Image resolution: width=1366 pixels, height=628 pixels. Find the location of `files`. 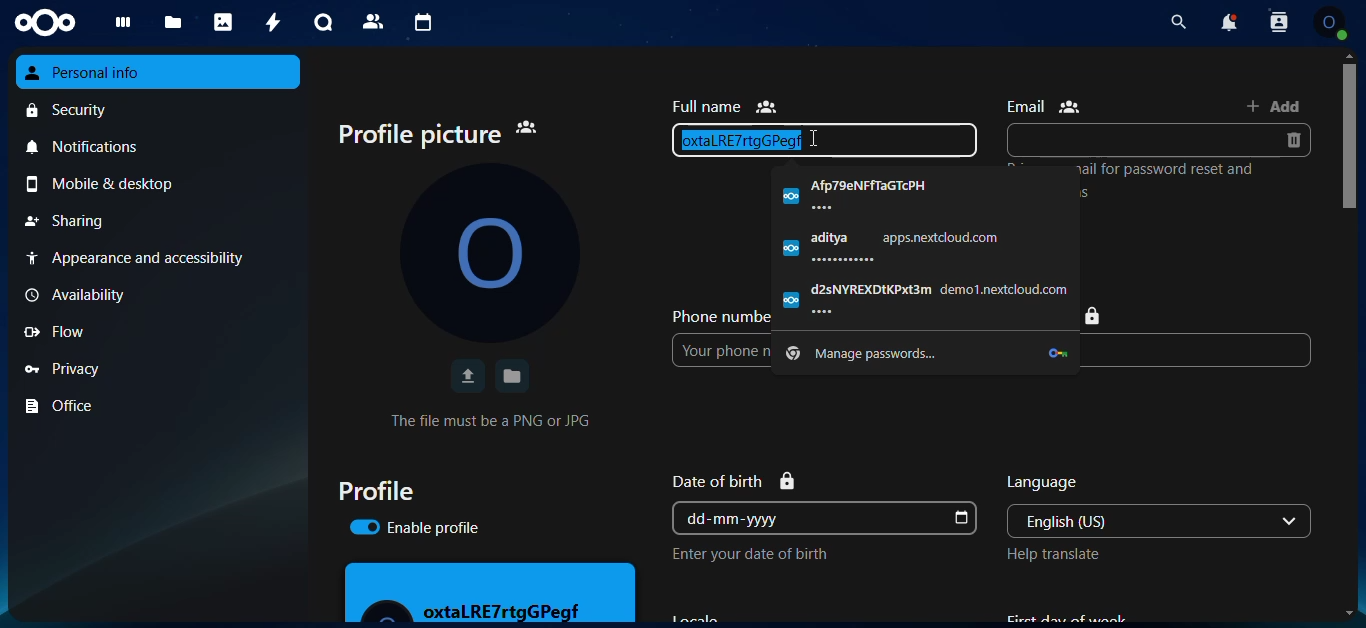

files is located at coordinates (169, 24).